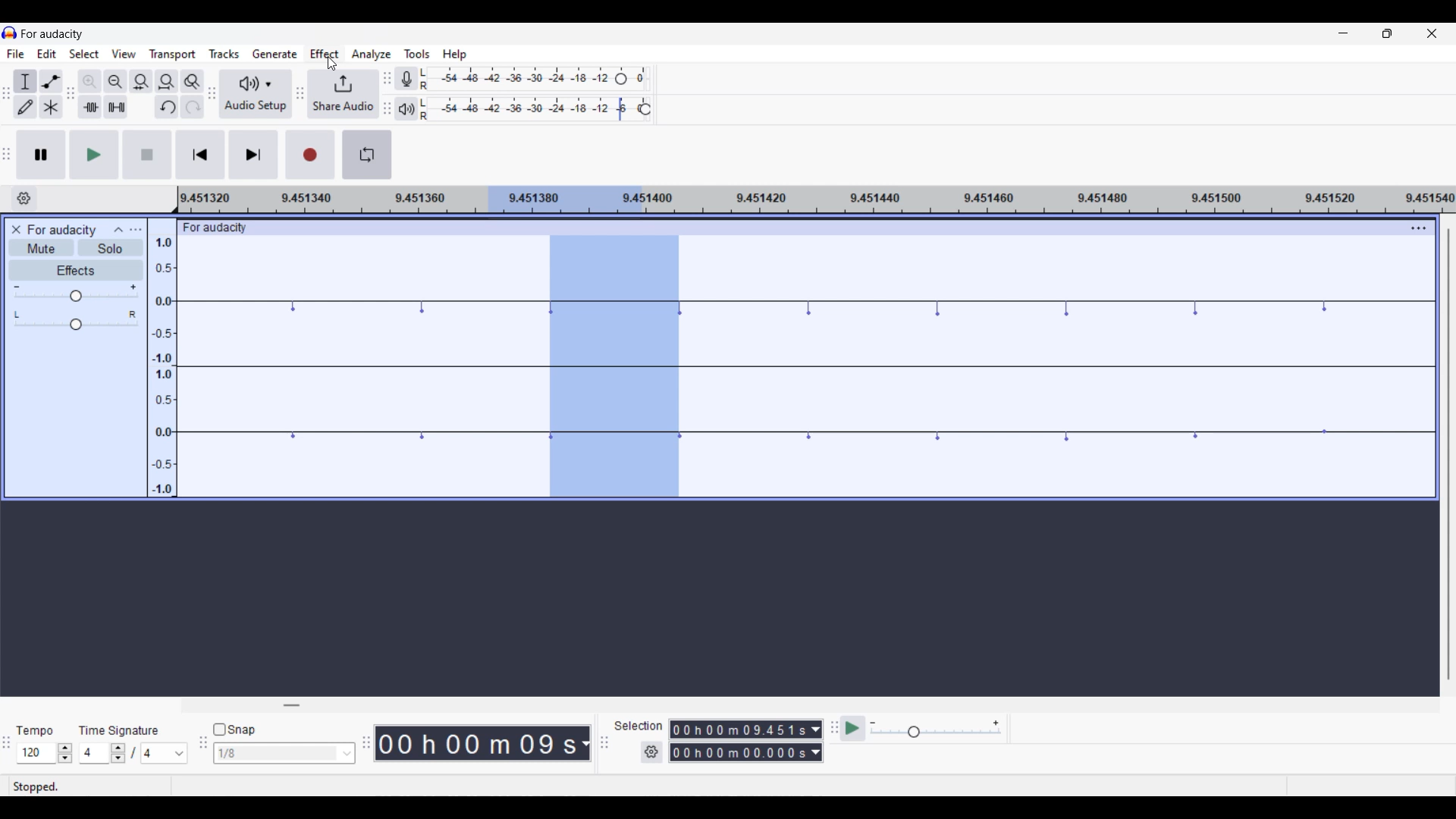 The width and height of the screenshot is (1456, 819). I want to click on Indicates current status of track, so click(39, 786).